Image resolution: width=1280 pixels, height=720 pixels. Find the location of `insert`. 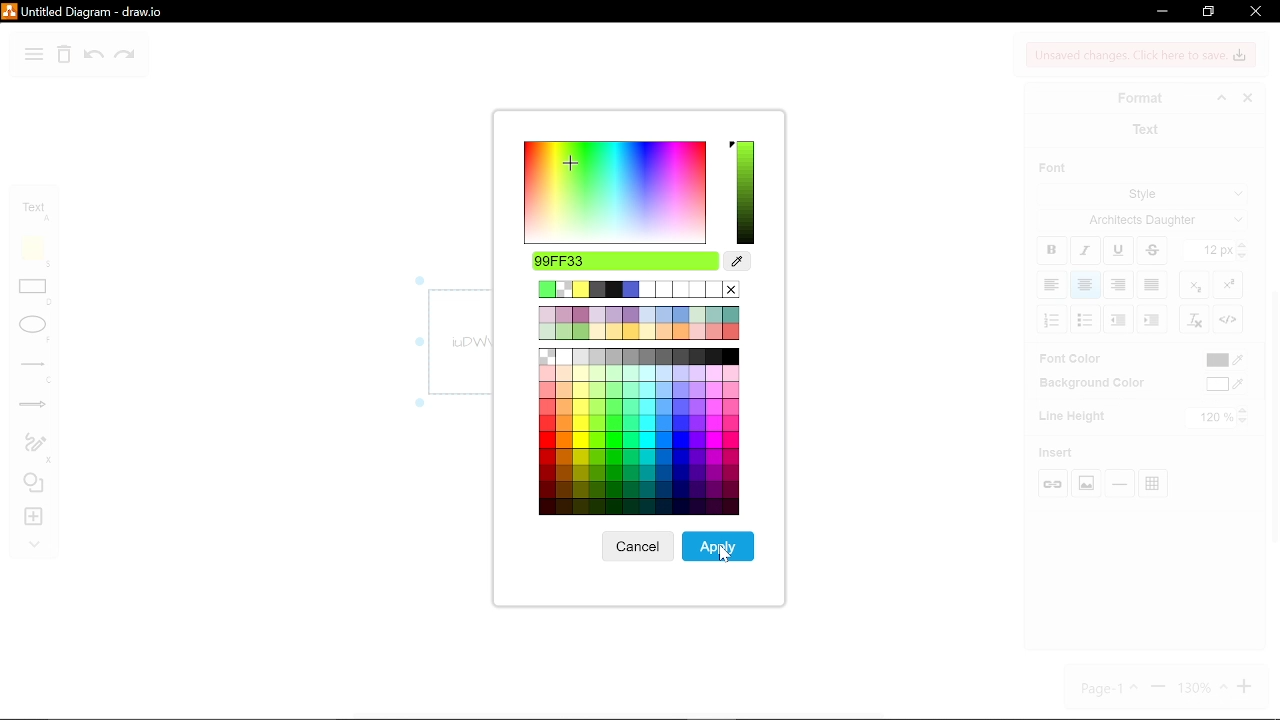

insert is located at coordinates (29, 520).